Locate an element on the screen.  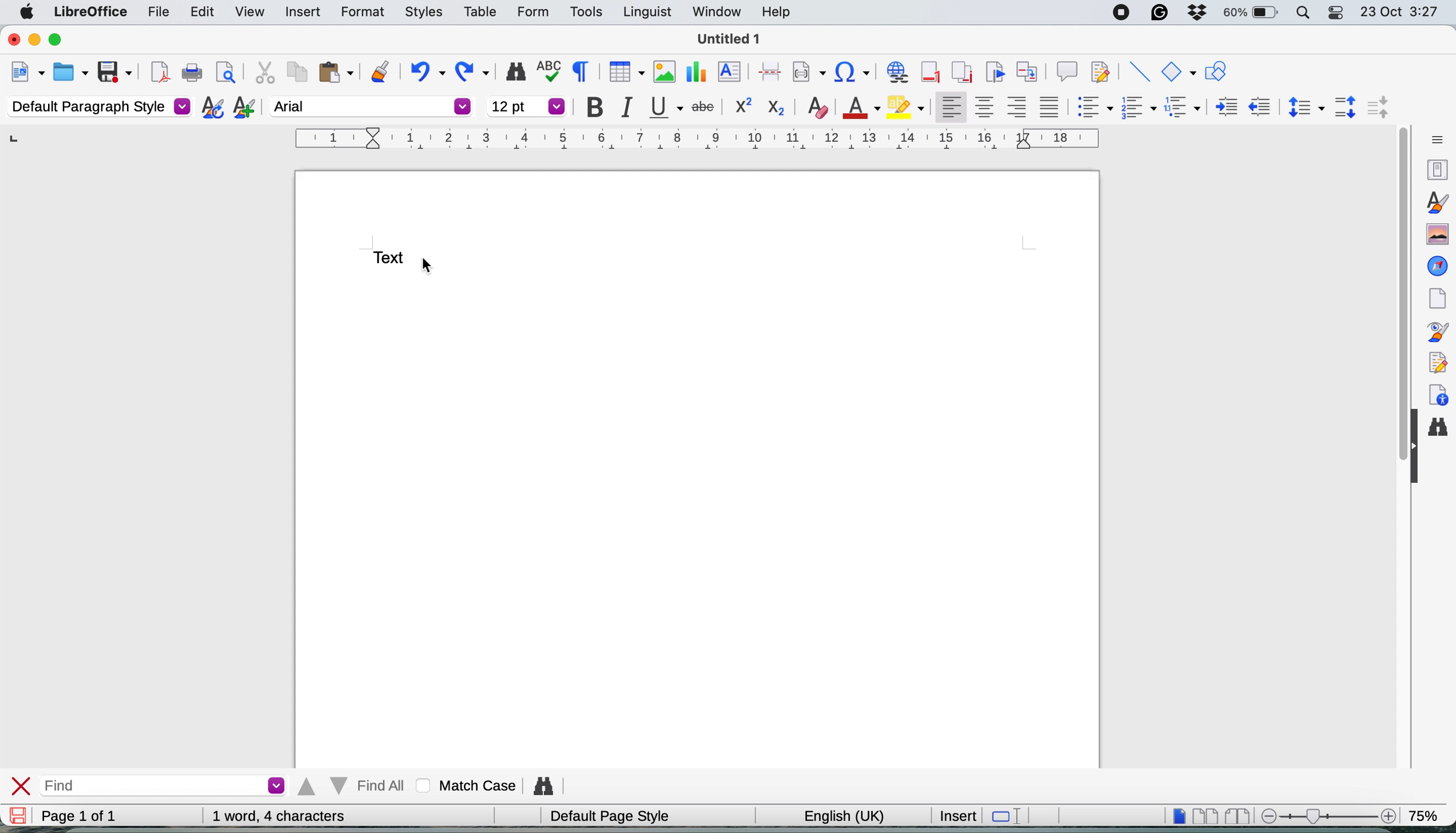
fill color is located at coordinates (908, 106).